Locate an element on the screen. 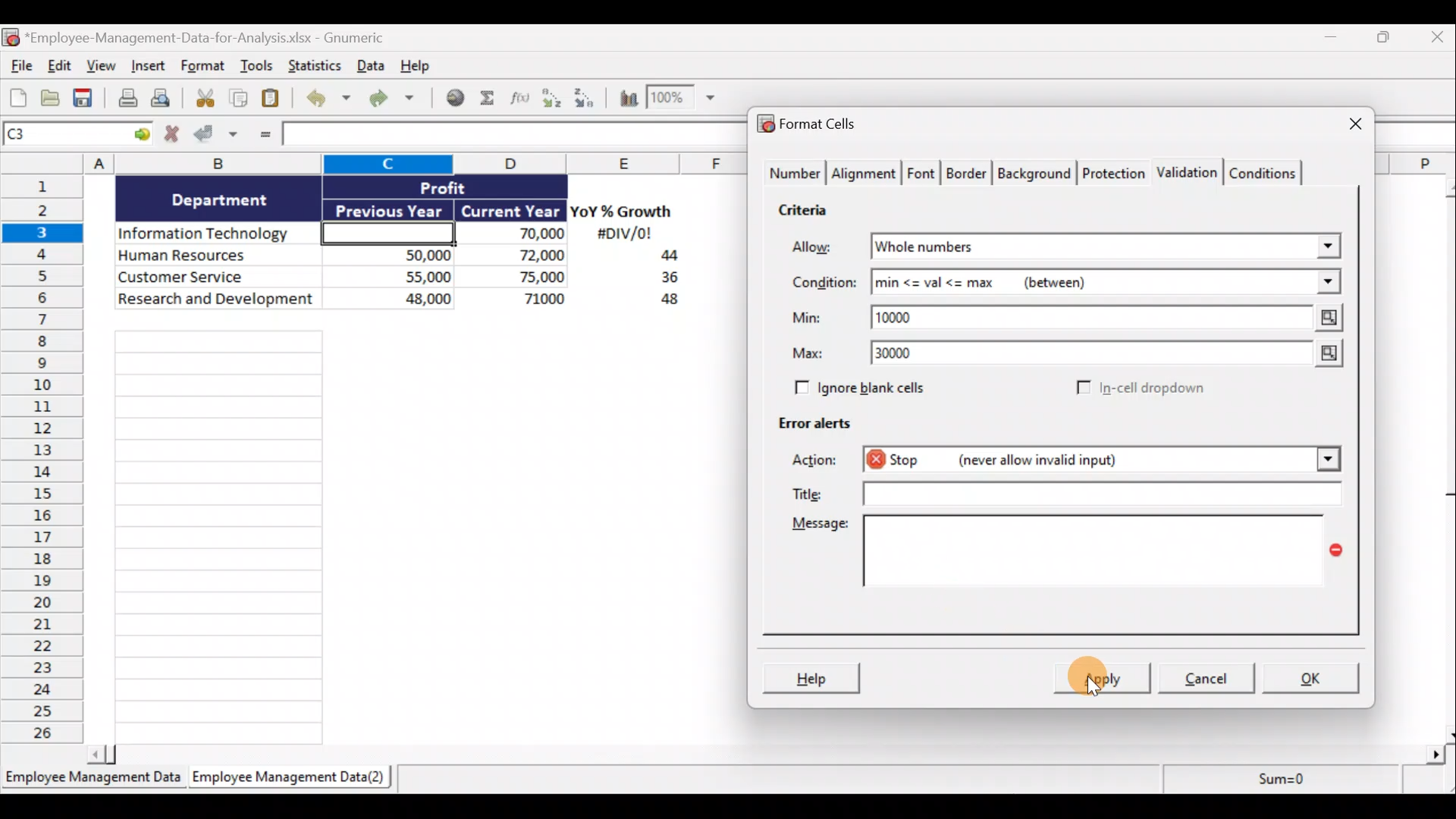 The width and height of the screenshot is (1456, 819). Rows is located at coordinates (47, 462).